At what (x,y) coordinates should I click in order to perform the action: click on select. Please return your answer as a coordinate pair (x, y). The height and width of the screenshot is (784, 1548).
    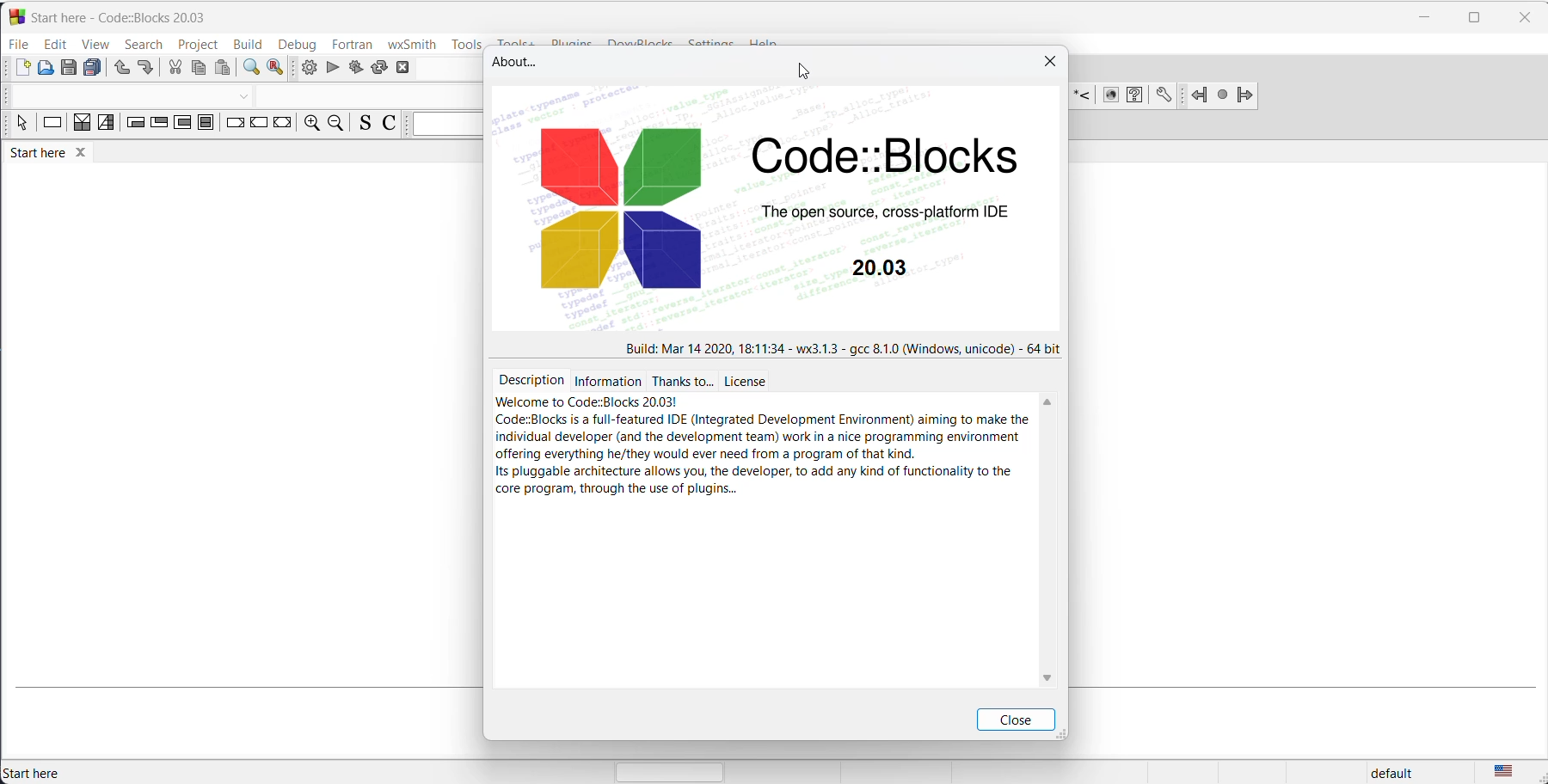
    Looking at the image, I should click on (20, 126).